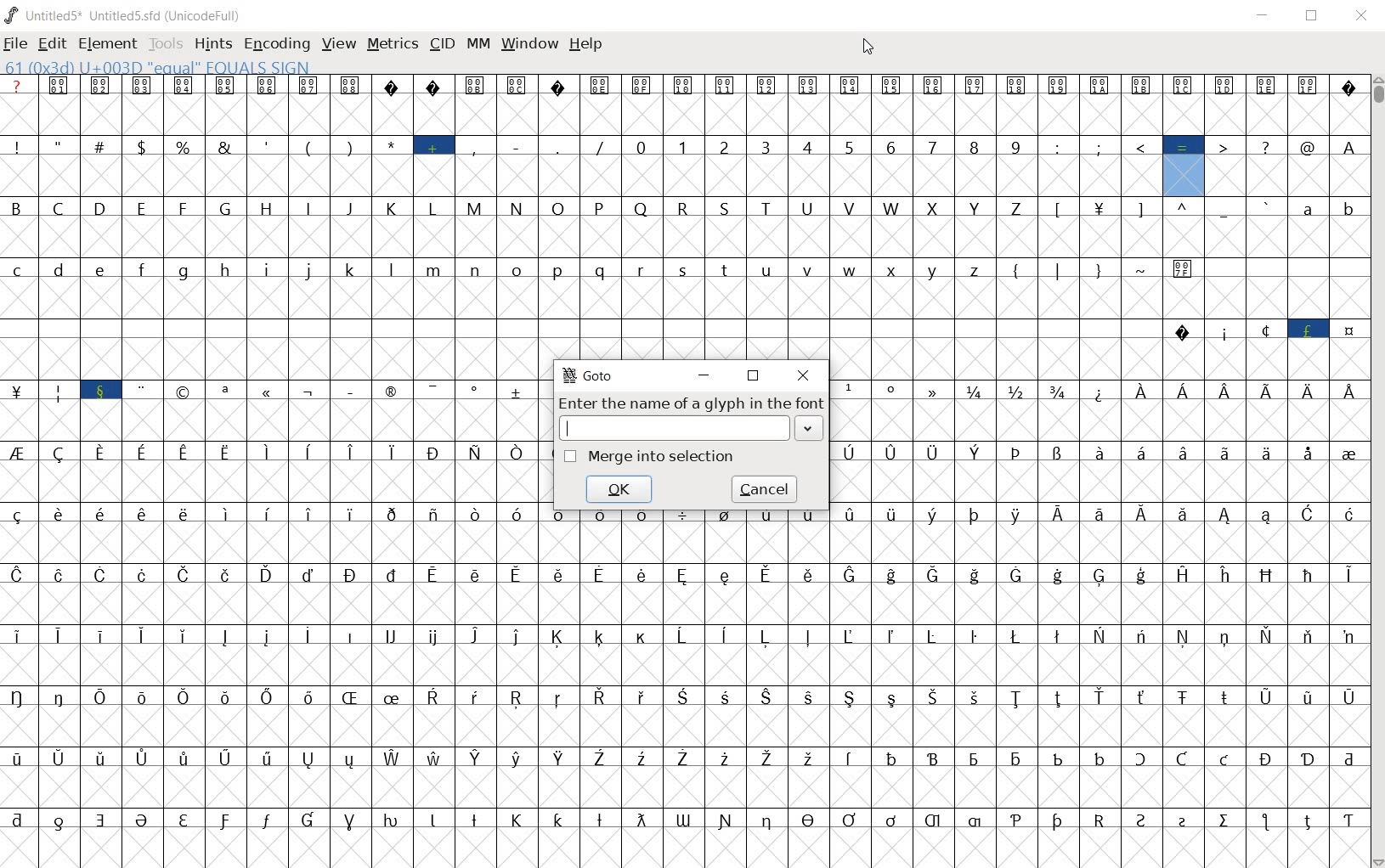 The image size is (1385, 868). I want to click on cancel, so click(621, 490).